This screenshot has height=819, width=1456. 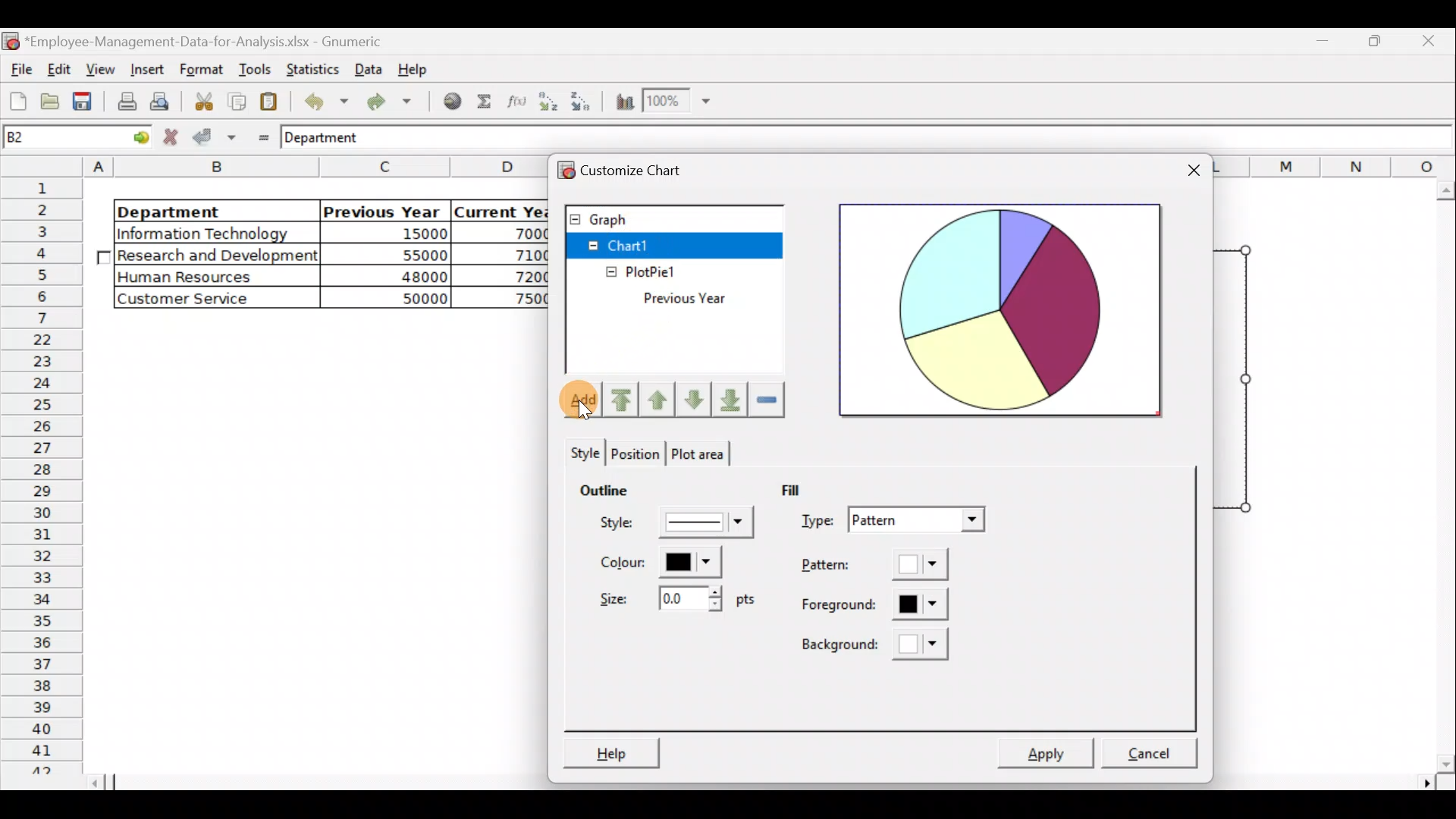 What do you see at coordinates (875, 567) in the screenshot?
I see `Pattern` at bounding box center [875, 567].